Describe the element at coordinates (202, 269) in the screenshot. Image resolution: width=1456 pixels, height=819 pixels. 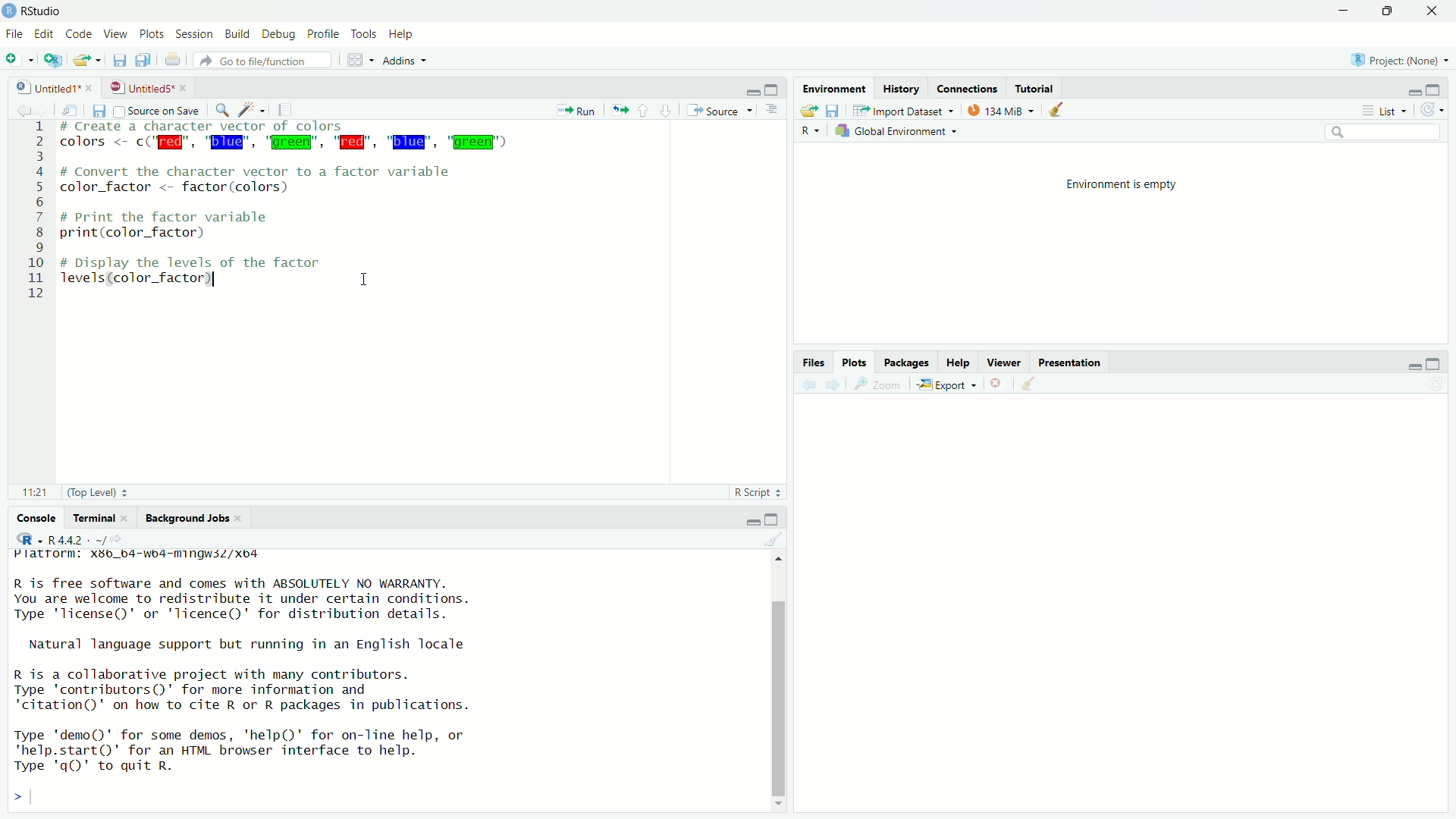
I see `# Display the levels of the factor
levels (color Factor)` at that location.